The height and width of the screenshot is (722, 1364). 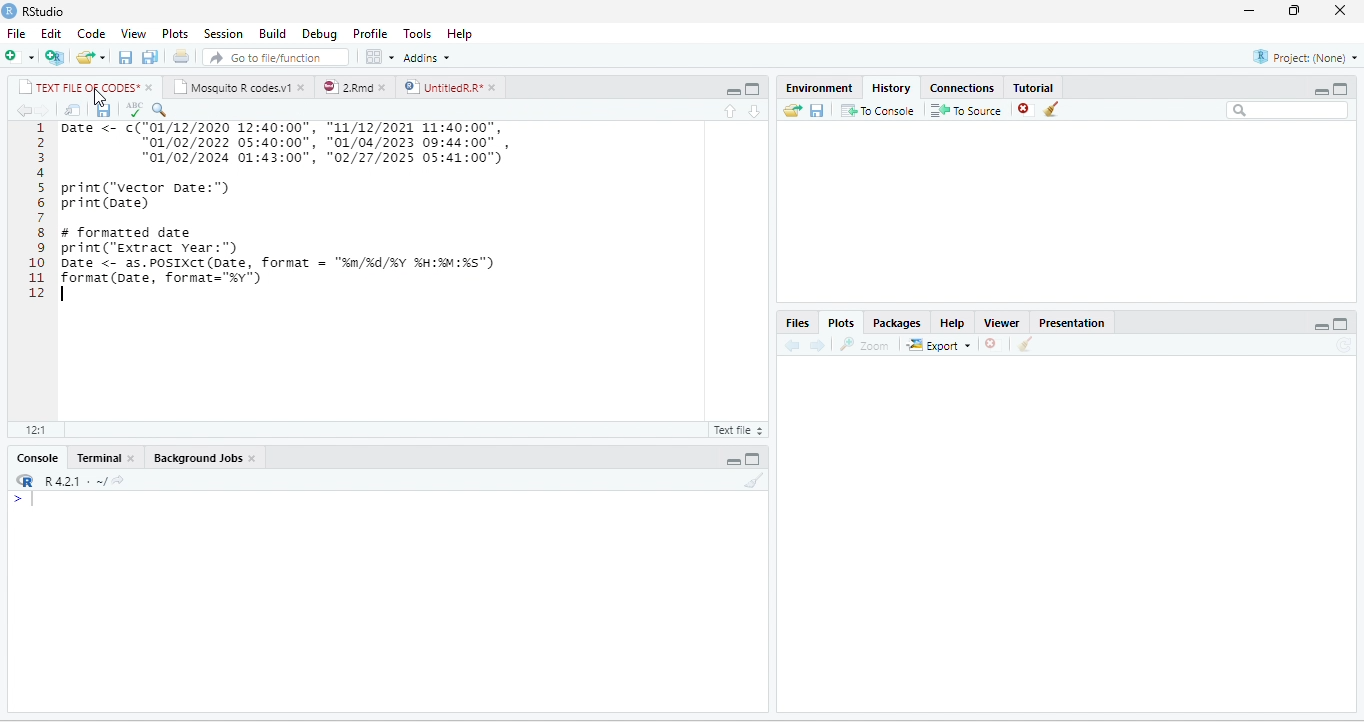 I want to click on Tools, so click(x=419, y=34).